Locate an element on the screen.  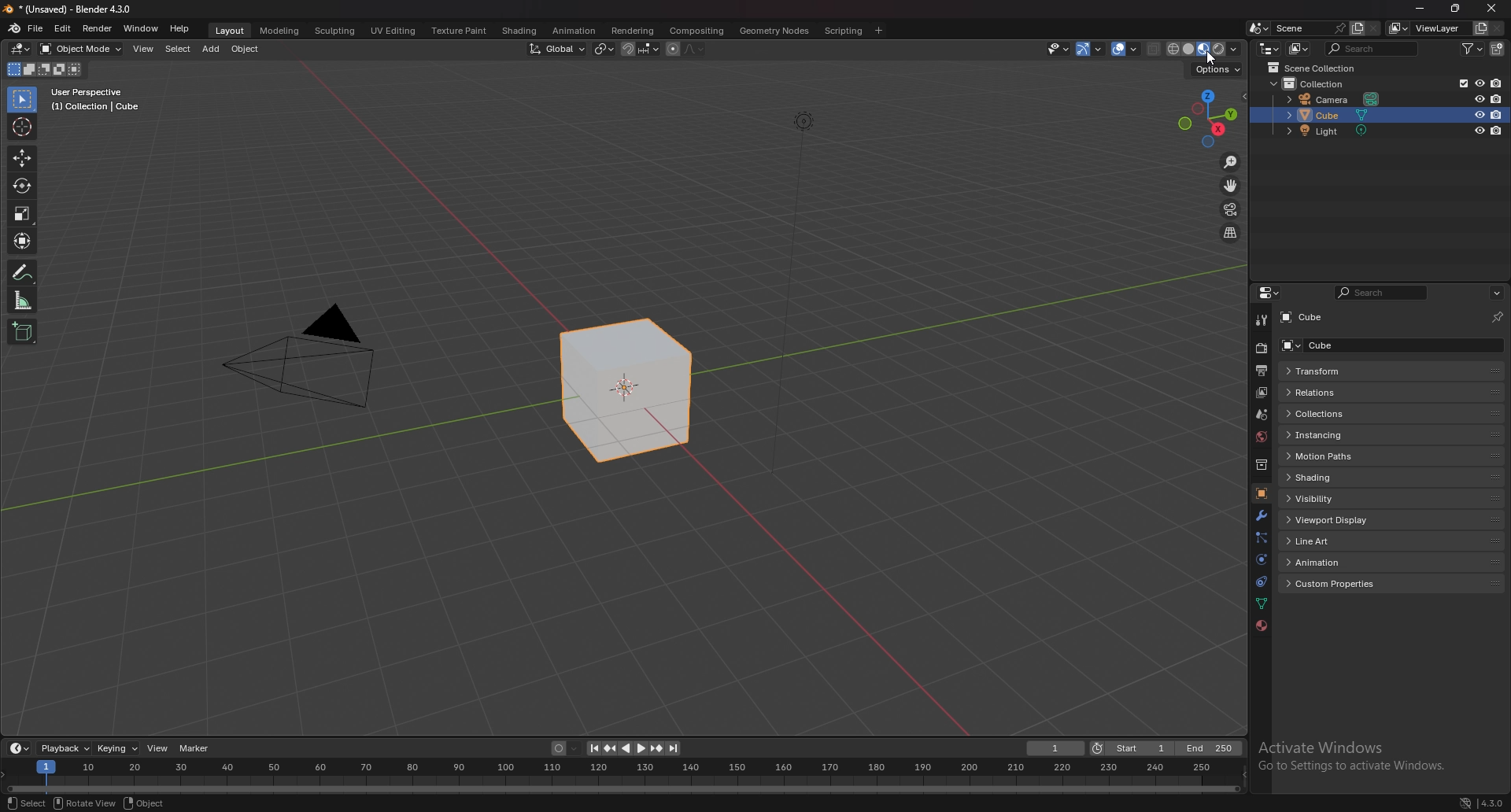
view is located at coordinates (143, 50).